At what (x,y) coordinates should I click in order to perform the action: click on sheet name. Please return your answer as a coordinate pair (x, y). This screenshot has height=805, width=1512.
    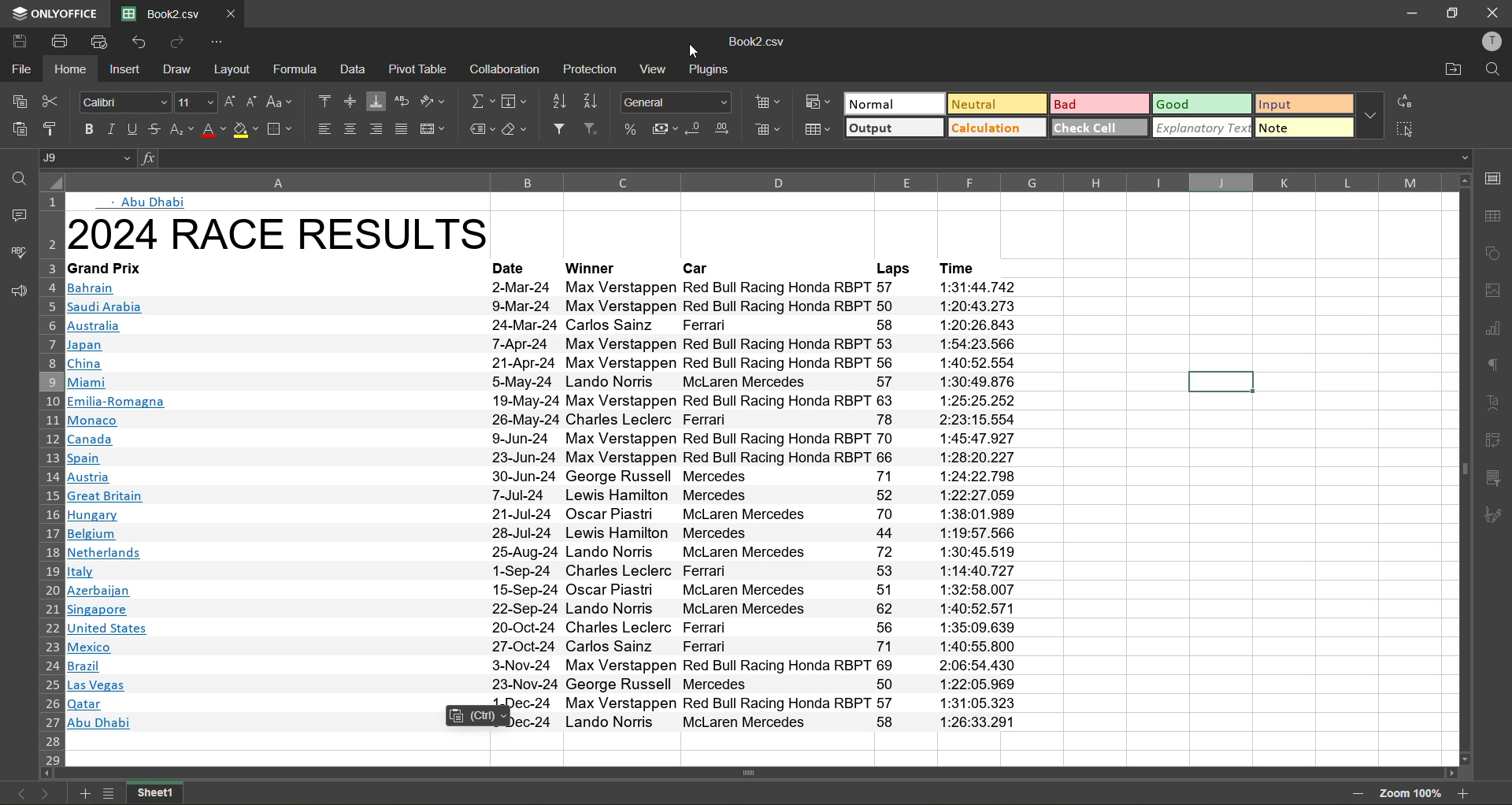
    Looking at the image, I should click on (154, 793).